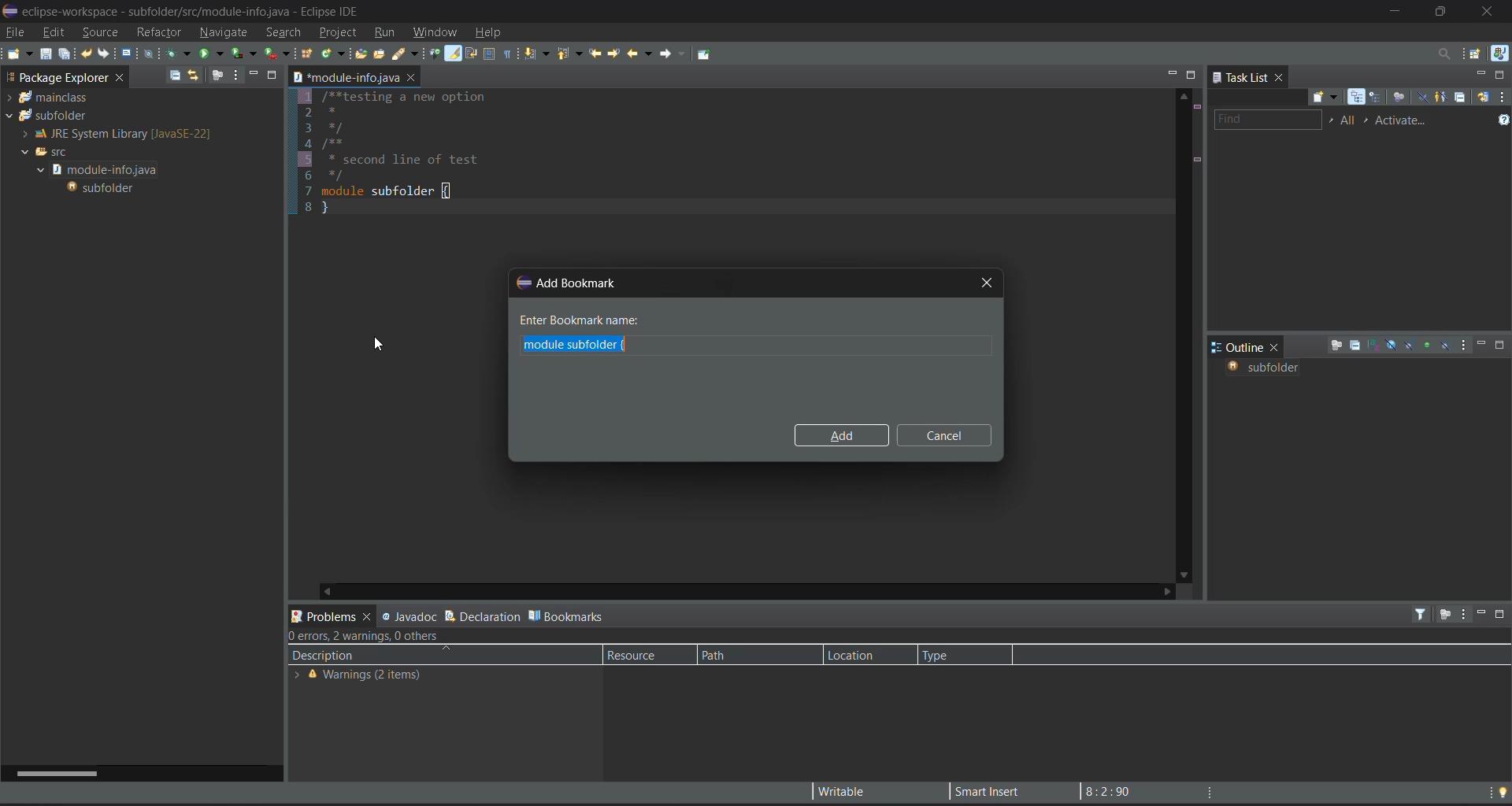 The height and width of the screenshot is (806, 1512). Describe the element at coordinates (152, 53) in the screenshot. I see `skip all terminals` at that location.